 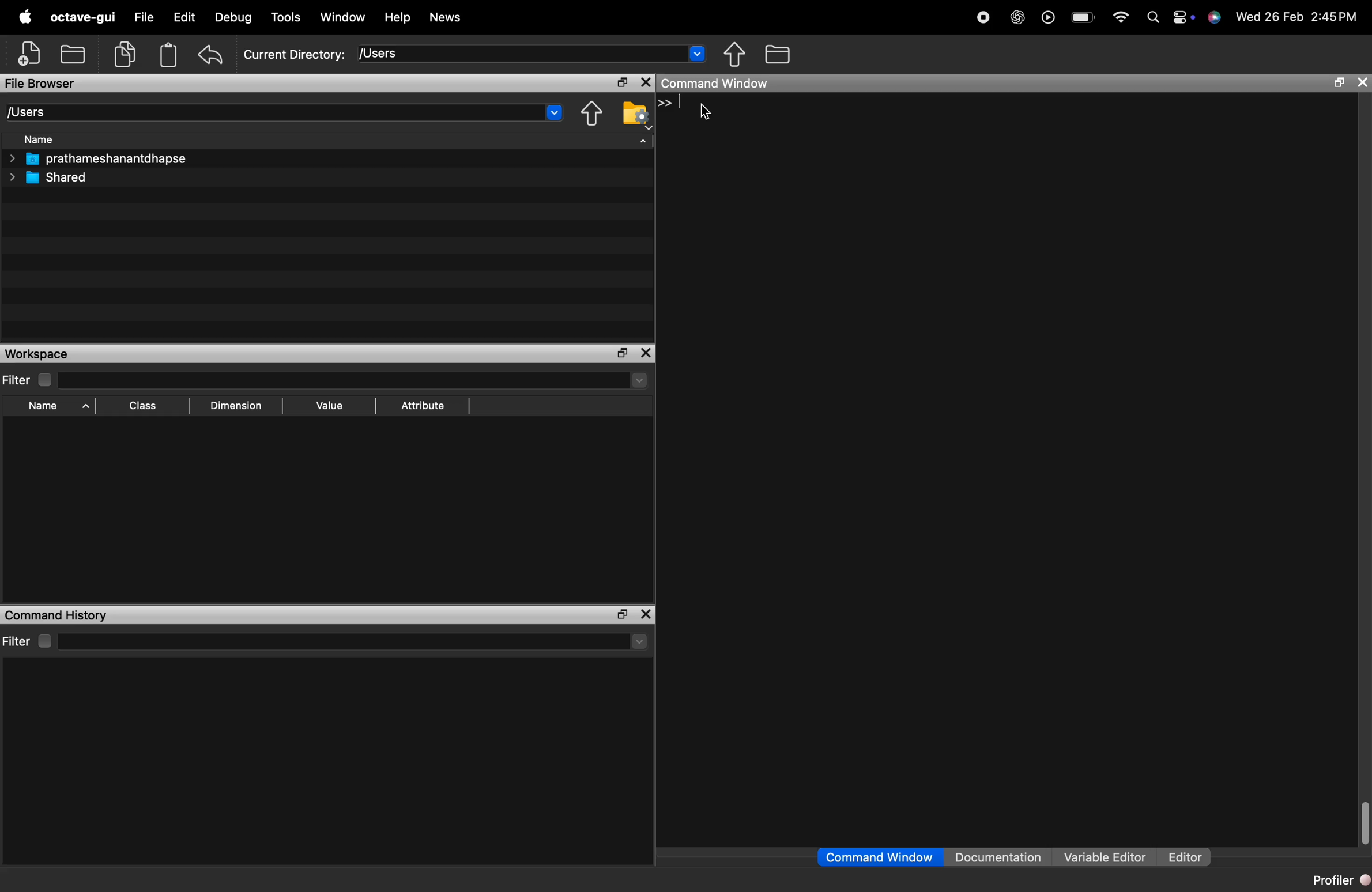 I want to click on octave-gui, so click(x=84, y=17).